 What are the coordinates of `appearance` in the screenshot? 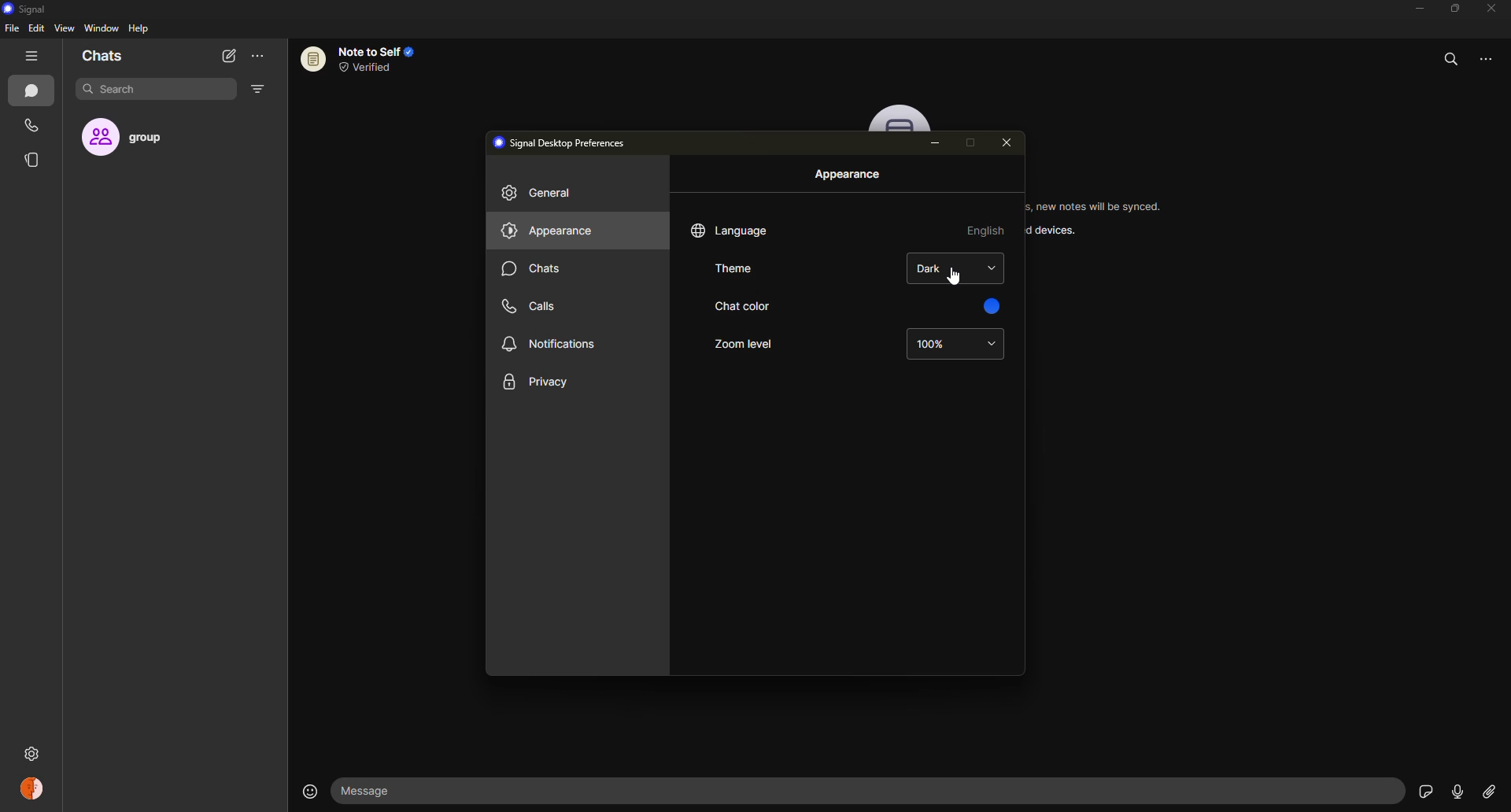 It's located at (850, 175).